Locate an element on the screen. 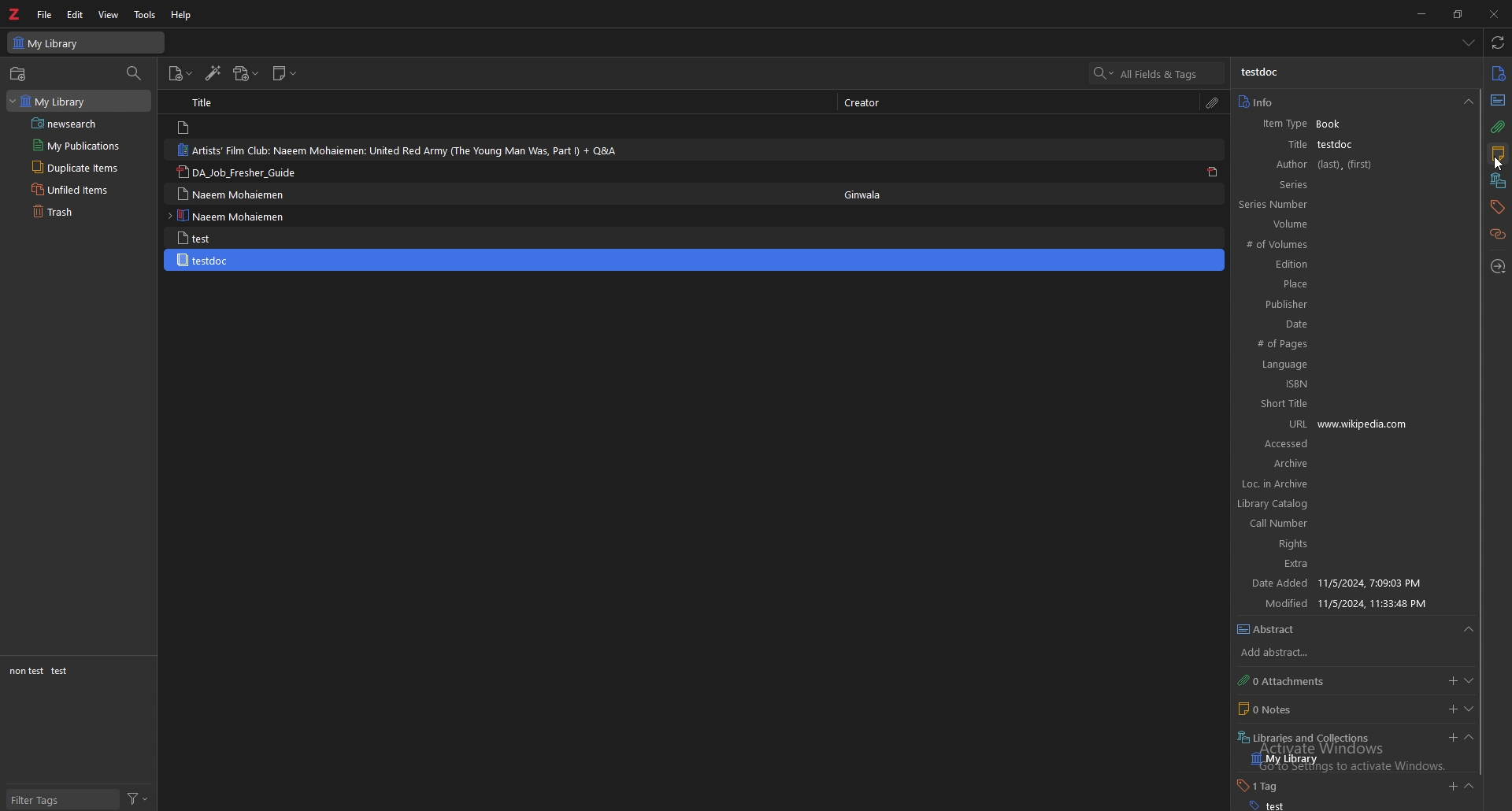 The image size is (1512, 811). # of volumes is located at coordinates (1333, 246).